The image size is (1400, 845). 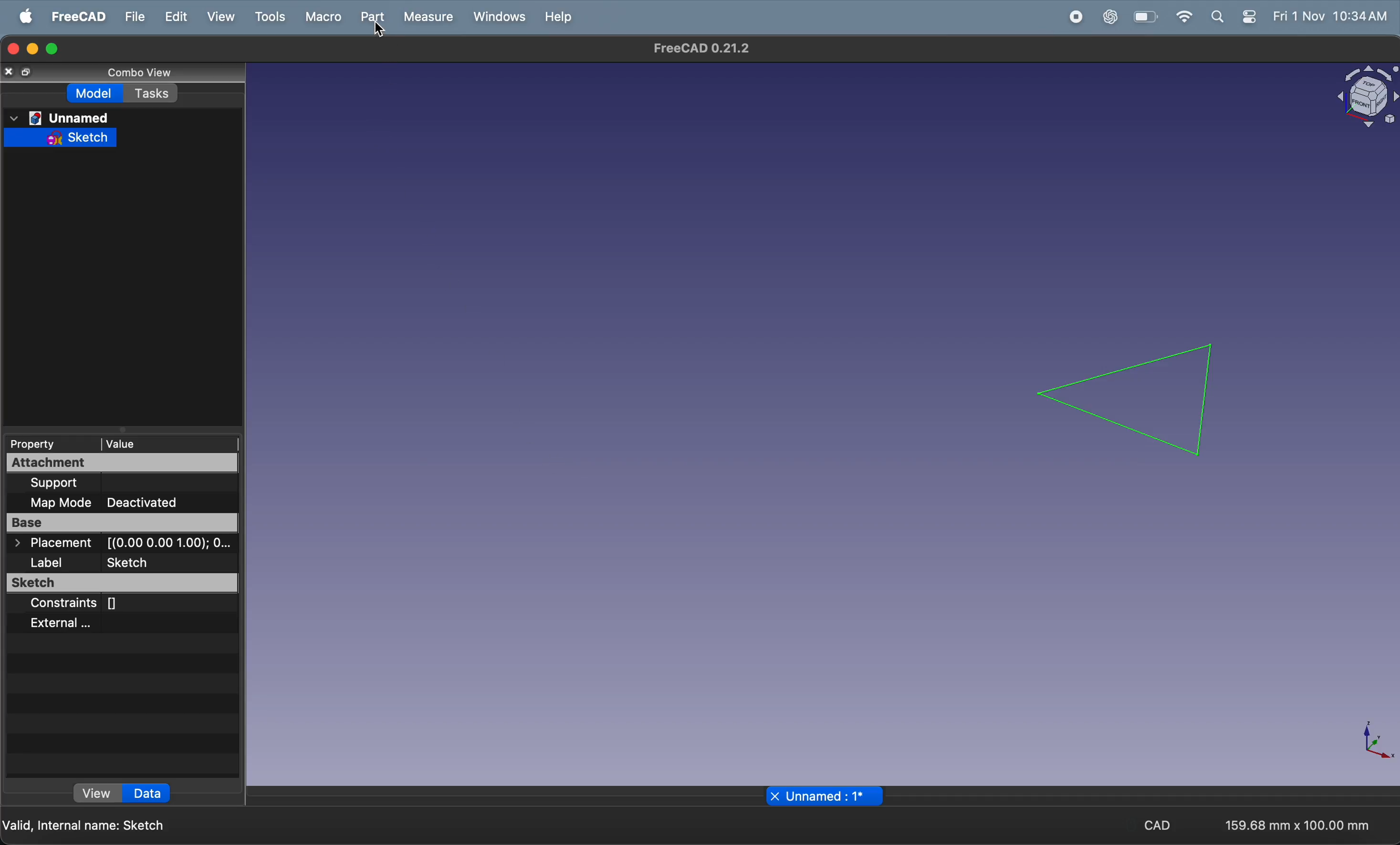 What do you see at coordinates (1148, 17) in the screenshot?
I see `battery` at bounding box center [1148, 17].